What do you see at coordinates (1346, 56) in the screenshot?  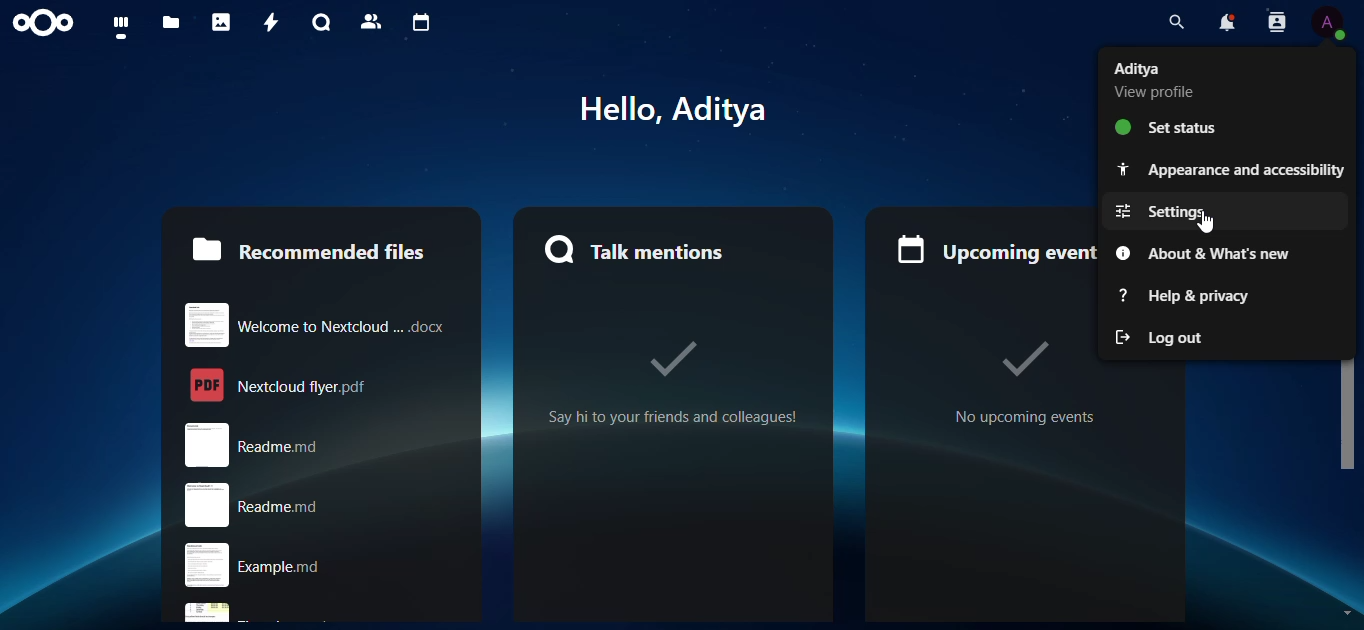 I see `scroll up` at bounding box center [1346, 56].